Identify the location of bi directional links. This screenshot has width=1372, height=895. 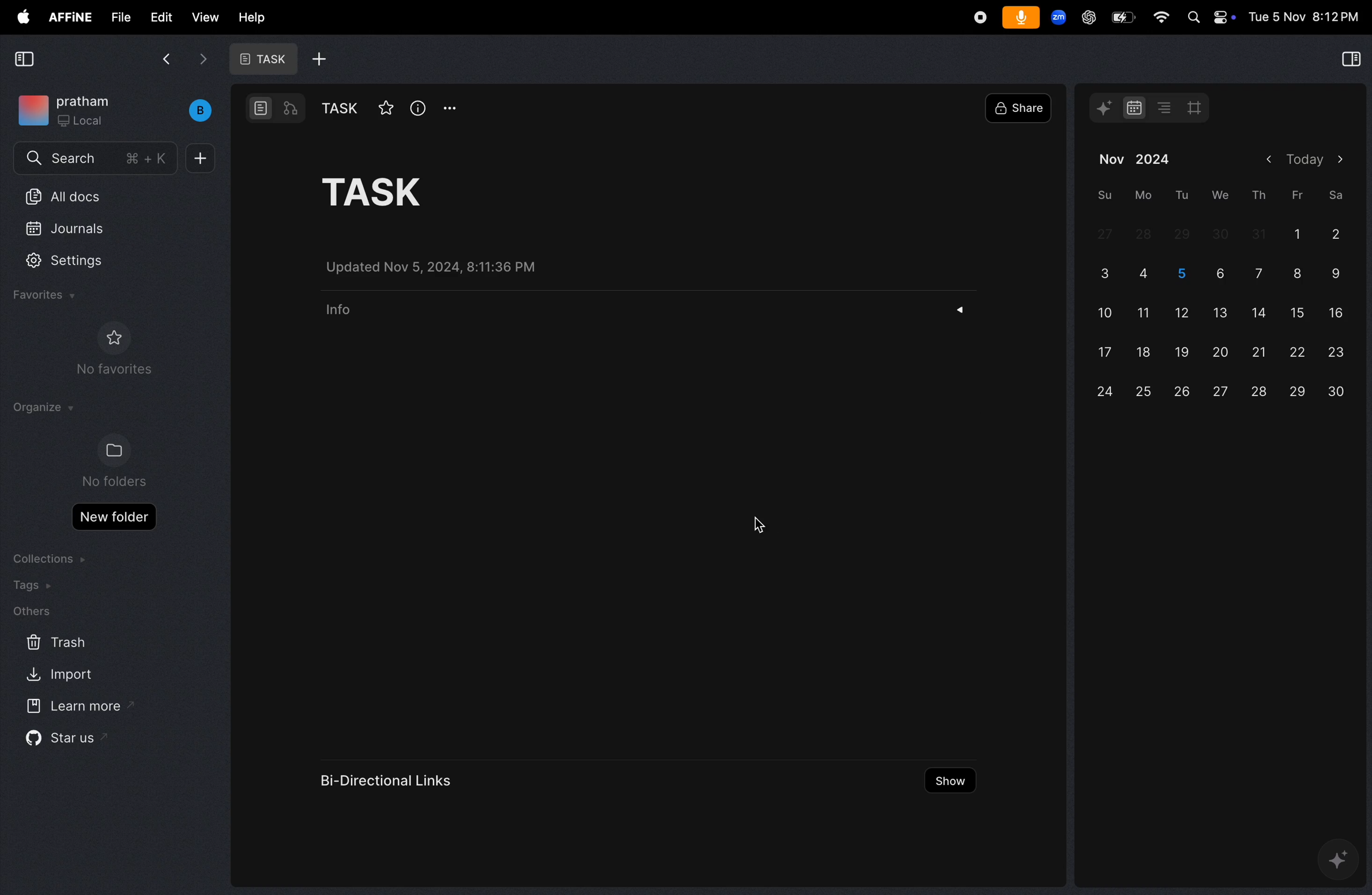
(390, 777).